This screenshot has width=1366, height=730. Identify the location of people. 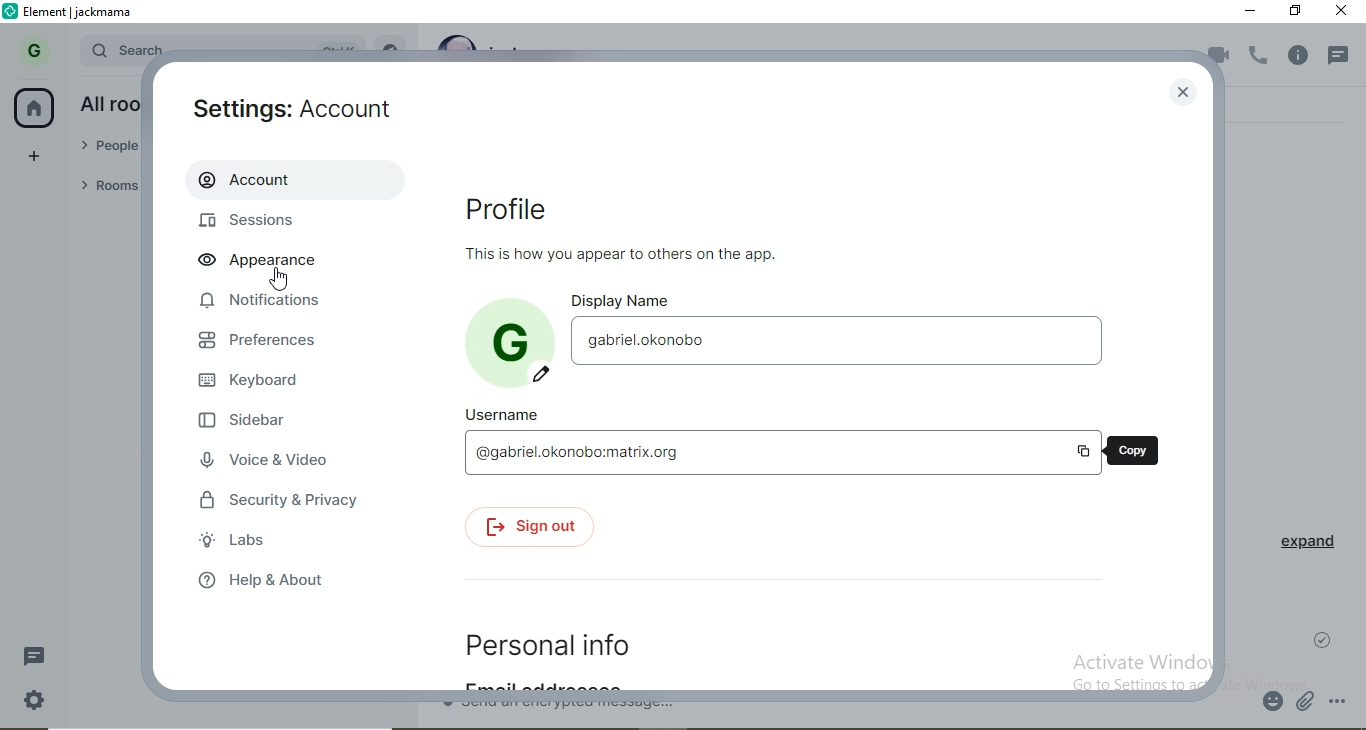
(109, 148).